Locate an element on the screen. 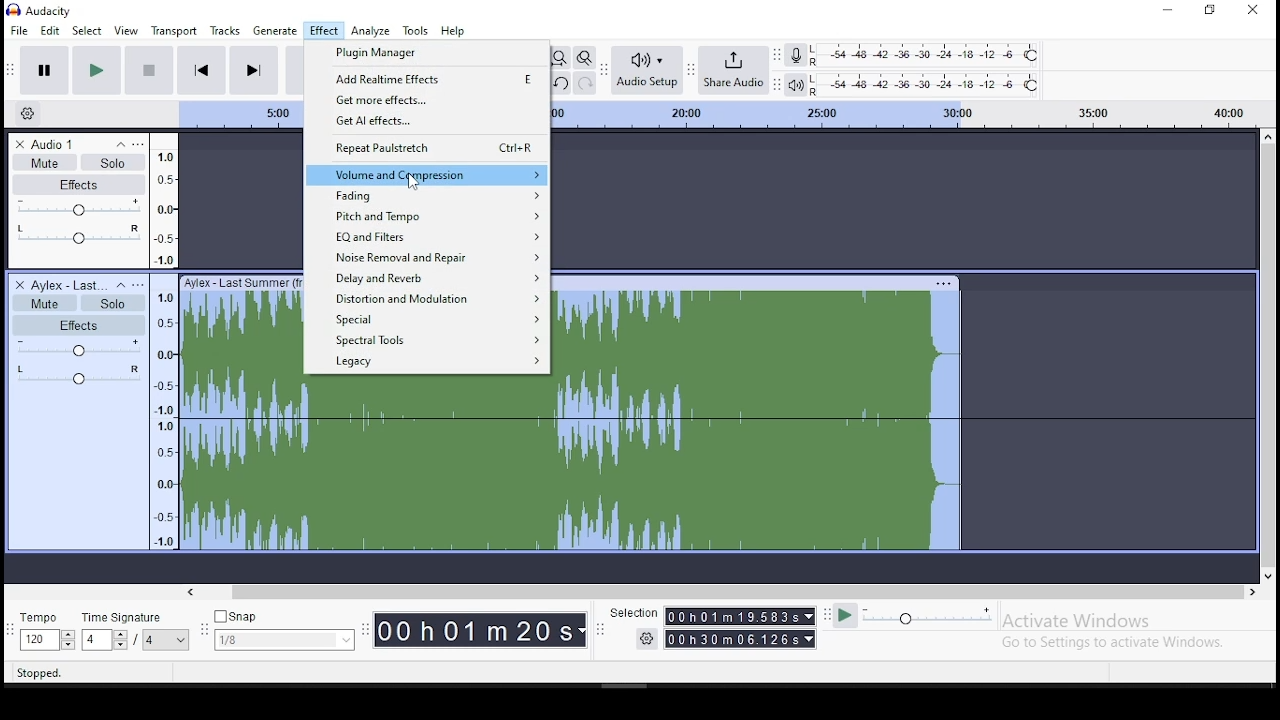 The height and width of the screenshot is (720, 1280). time is located at coordinates (740, 629).